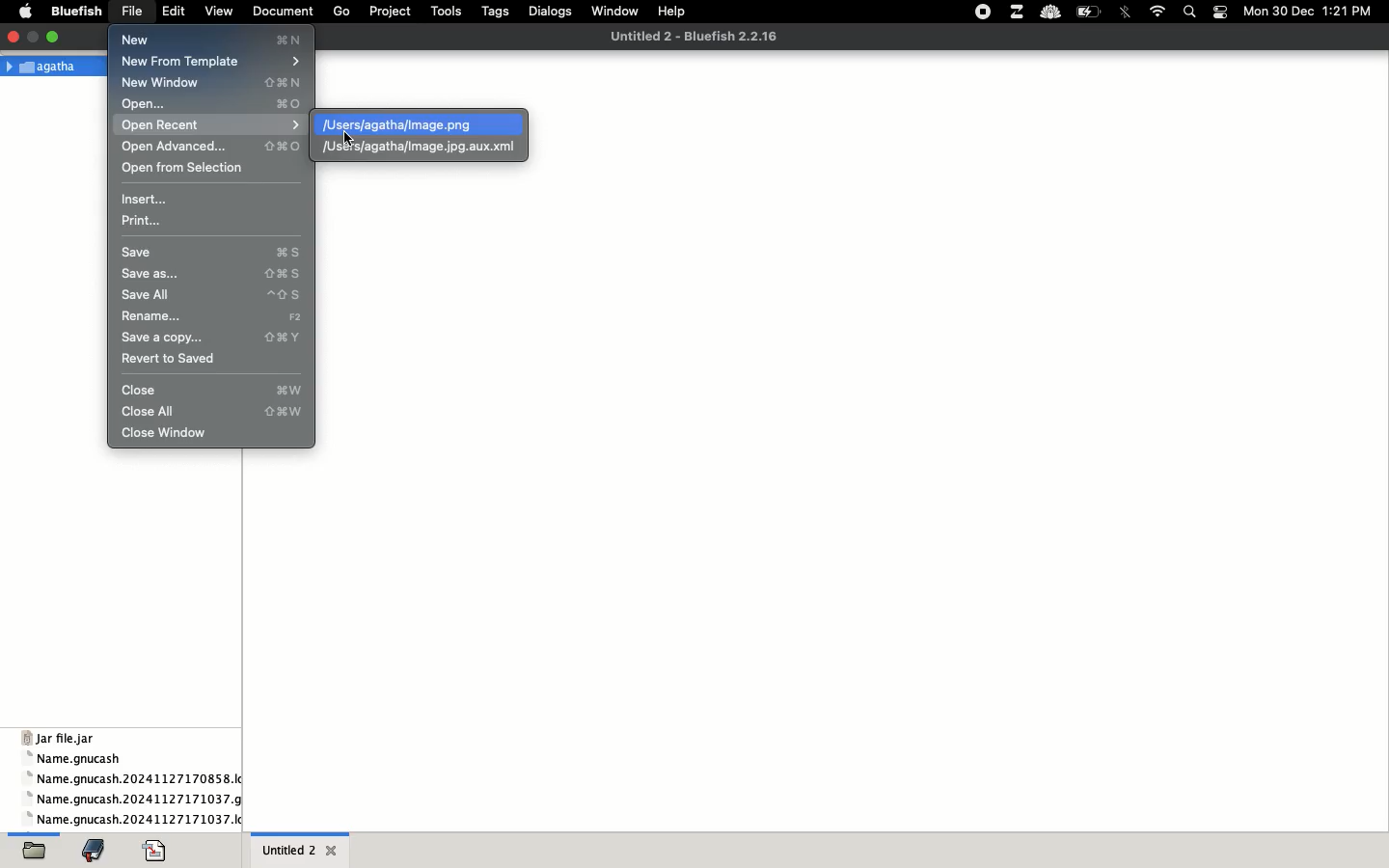 This screenshot has height=868, width=1389. What do you see at coordinates (212, 275) in the screenshot?
I see `save as` at bounding box center [212, 275].